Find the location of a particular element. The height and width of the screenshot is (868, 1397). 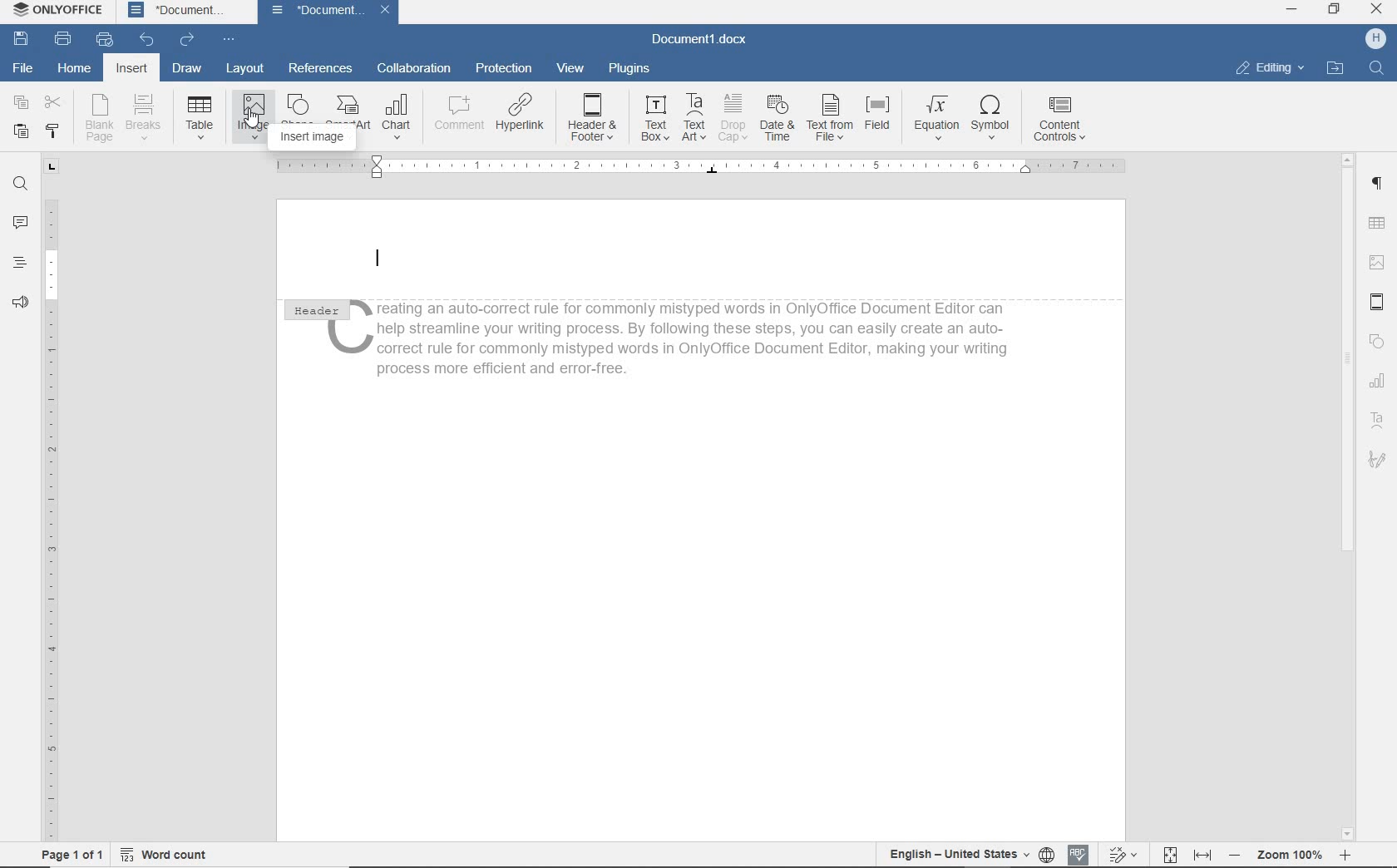

IMAGE is located at coordinates (1376, 263).